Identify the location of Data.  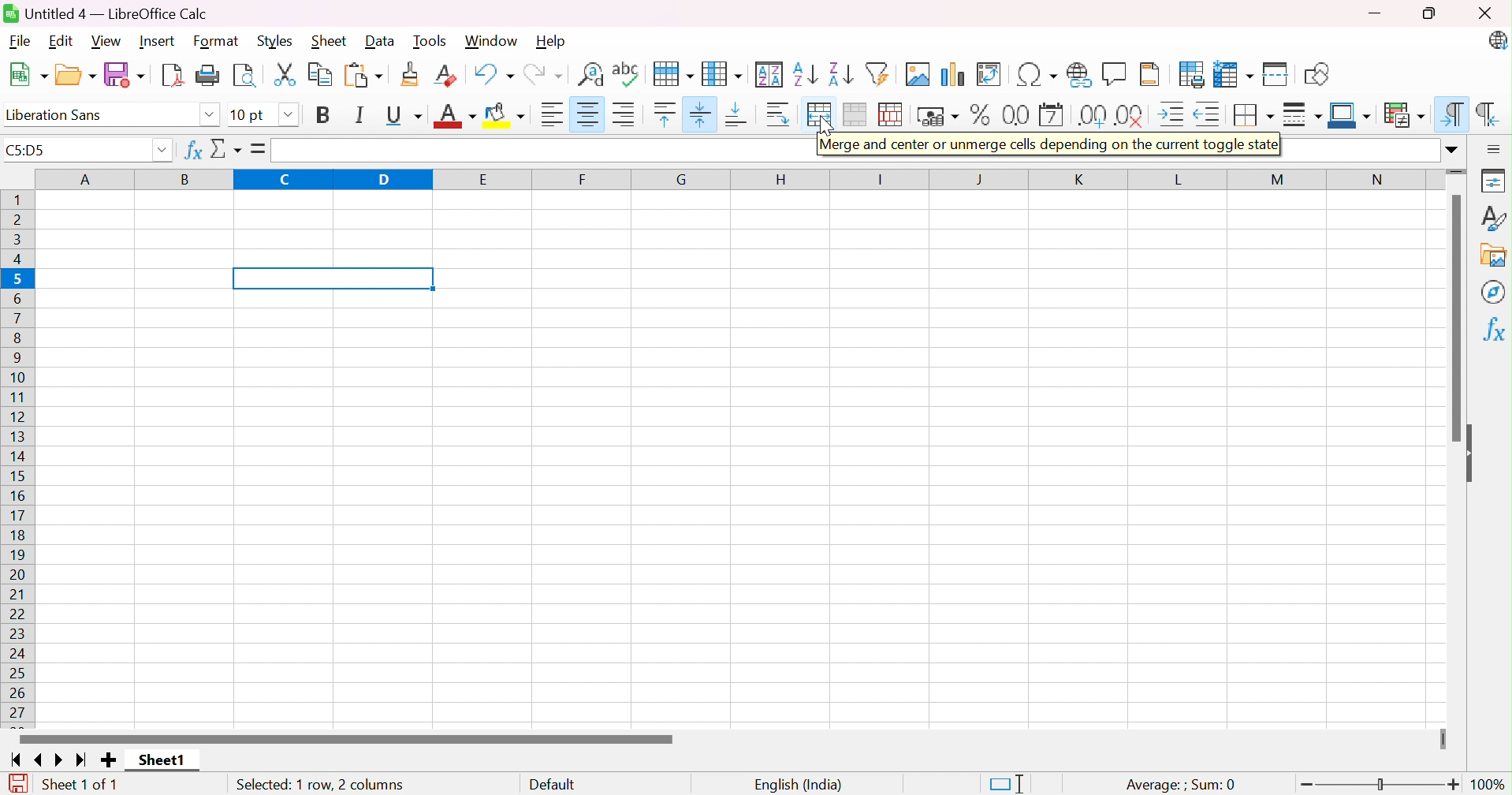
(382, 40).